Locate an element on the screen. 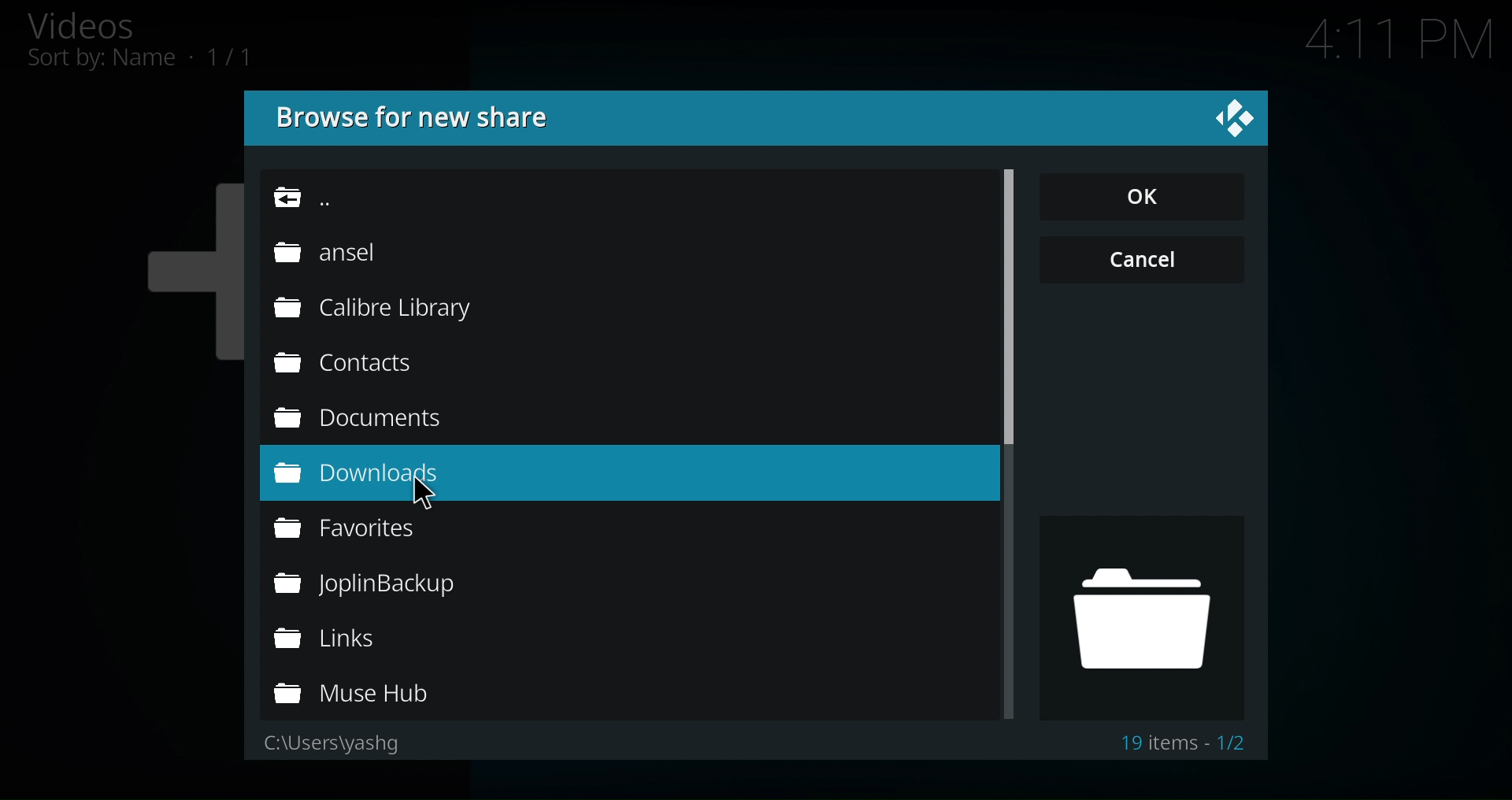 This screenshot has height=800, width=1512. Links is located at coordinates (365, 637).